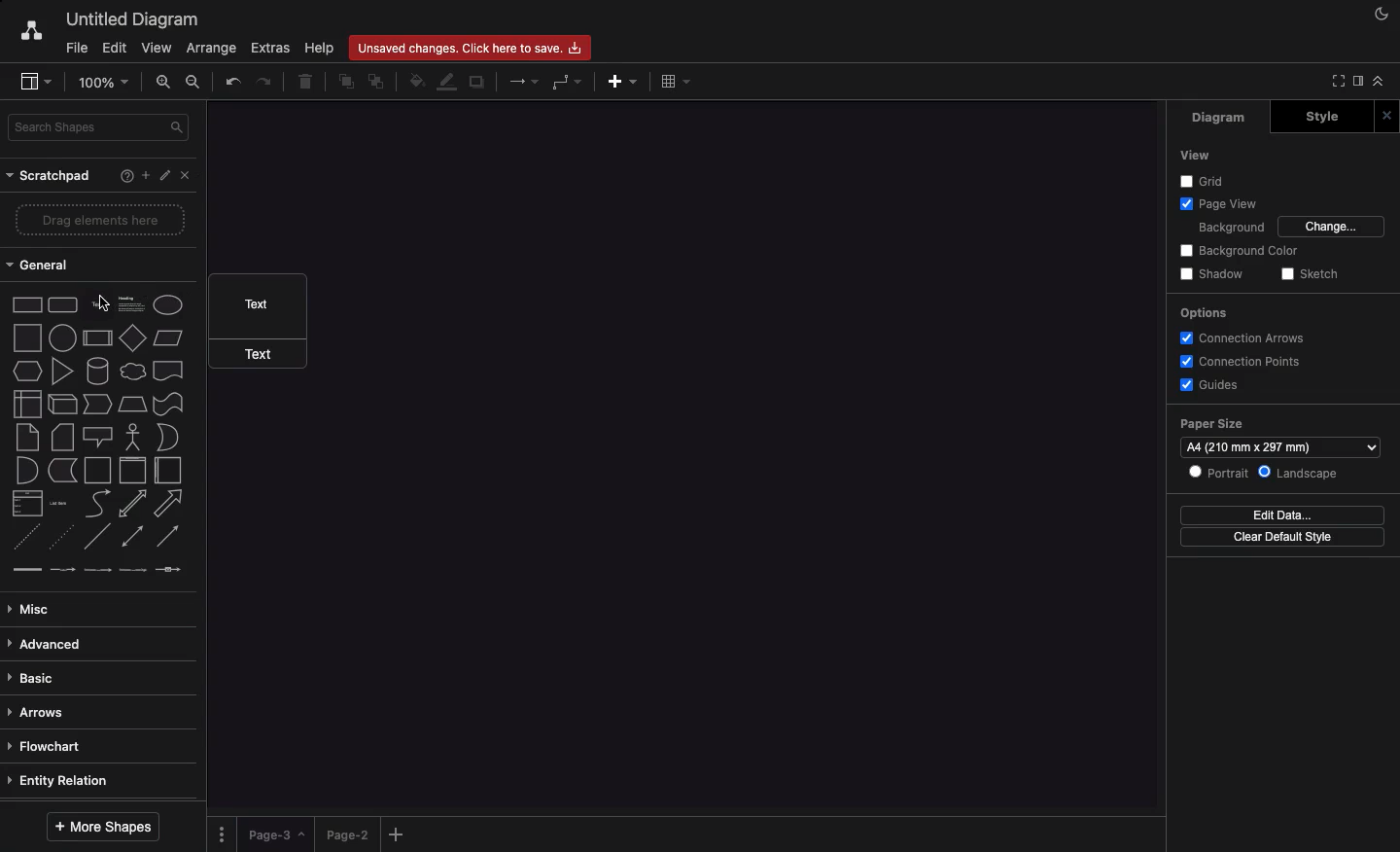 The width and height of the screenshot is (1400, 852). Describe the element at coordinates (106, 82) in the screenshot. I see `100% - Zoom` at that location.